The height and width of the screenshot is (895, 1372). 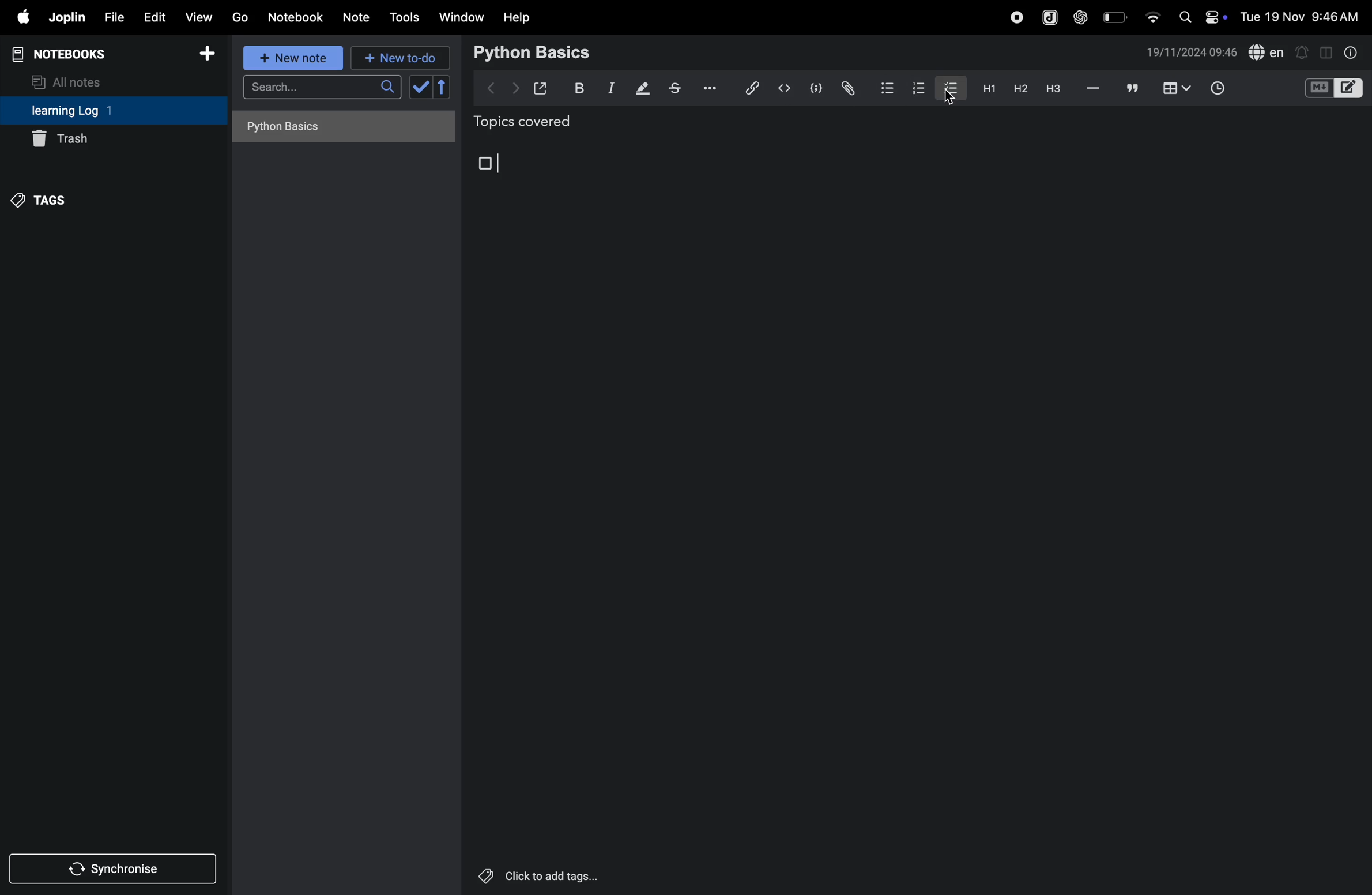 What do you see at coordinates (1016, 16) in the screenshot?
I see `record` at bounding box center [1016, 16].